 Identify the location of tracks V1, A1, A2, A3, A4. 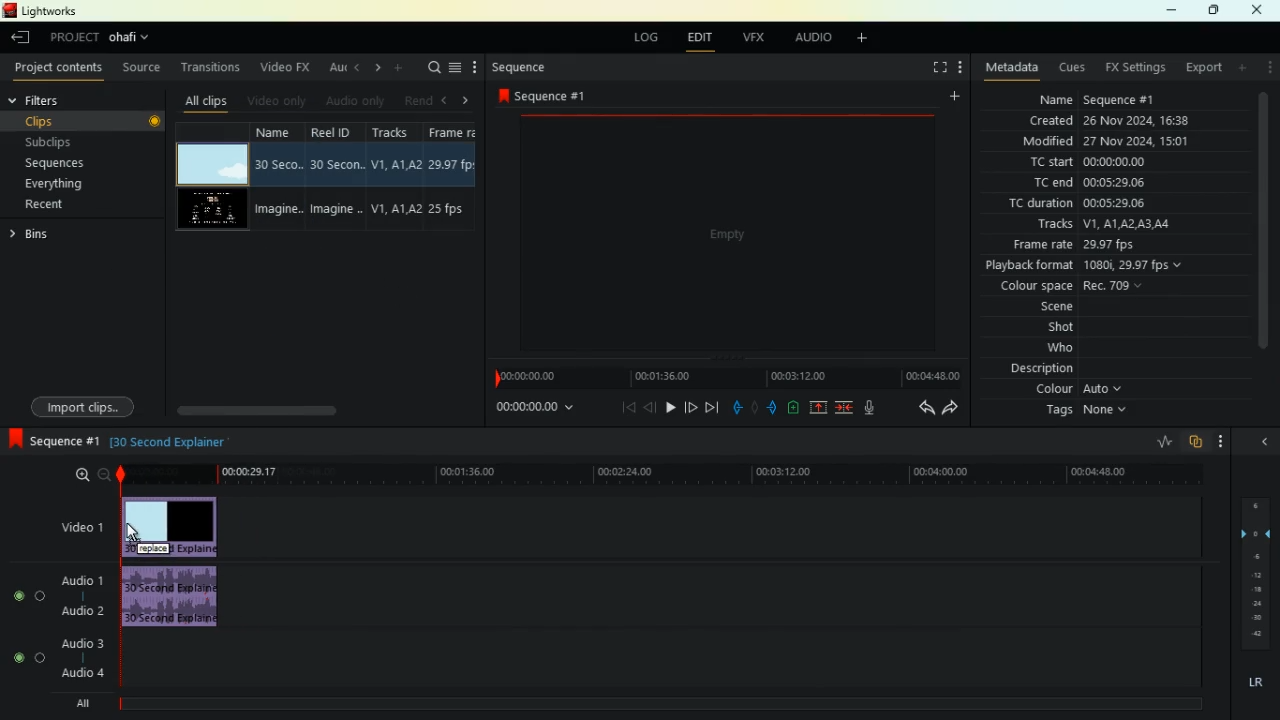
(1113, 225).